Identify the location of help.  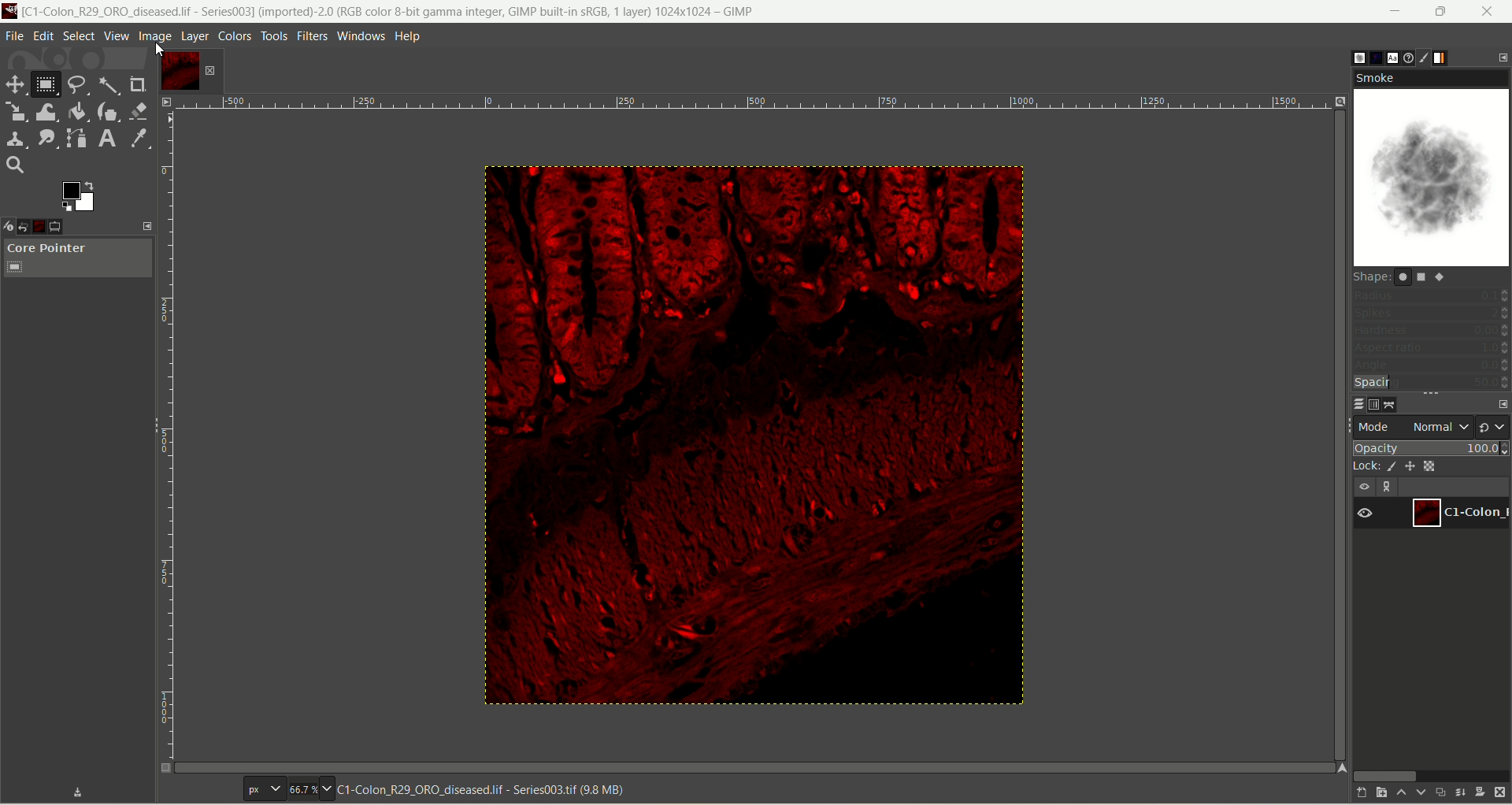
(410, 36).